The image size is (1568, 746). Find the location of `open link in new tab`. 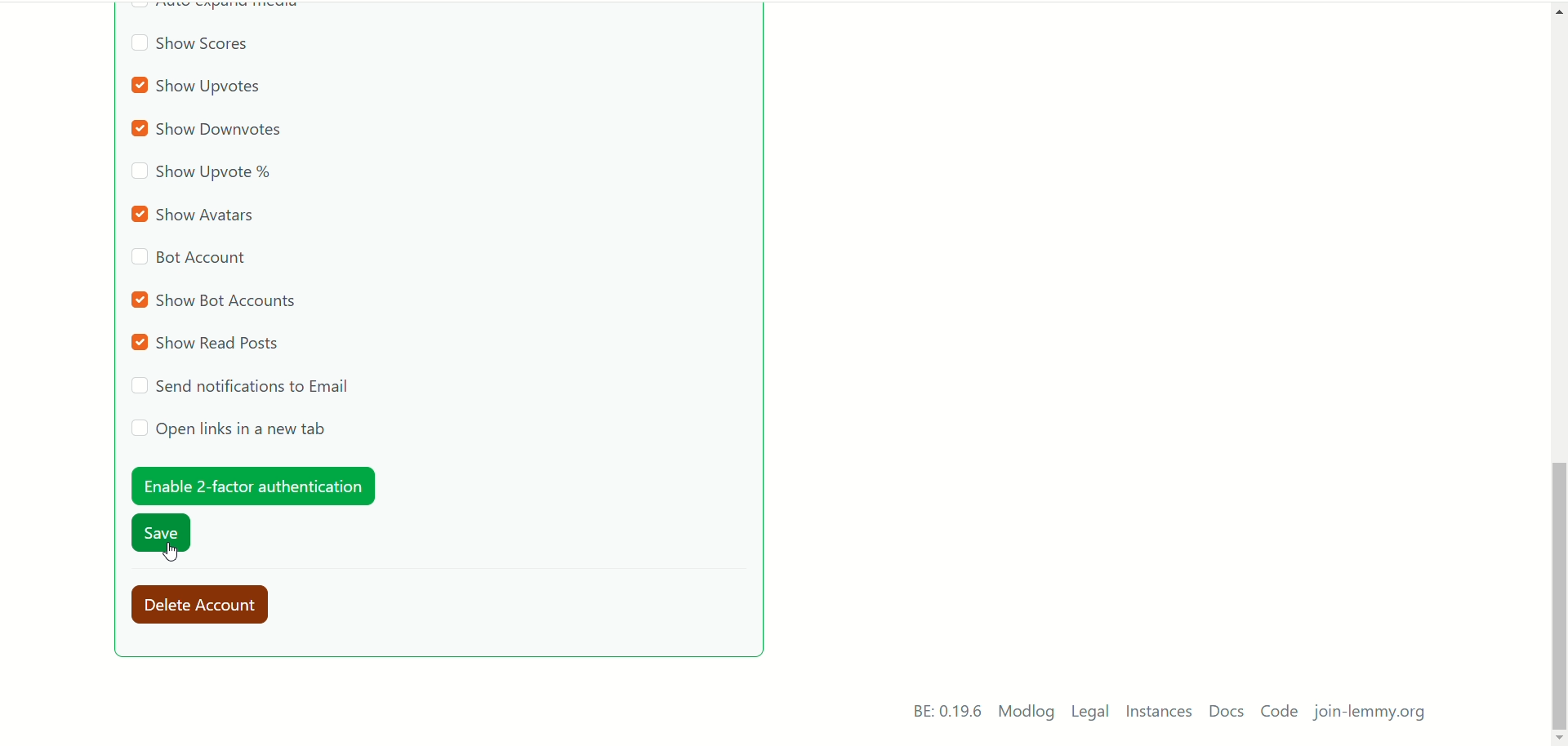

open link in new tab is located at coordinates (229, 429).